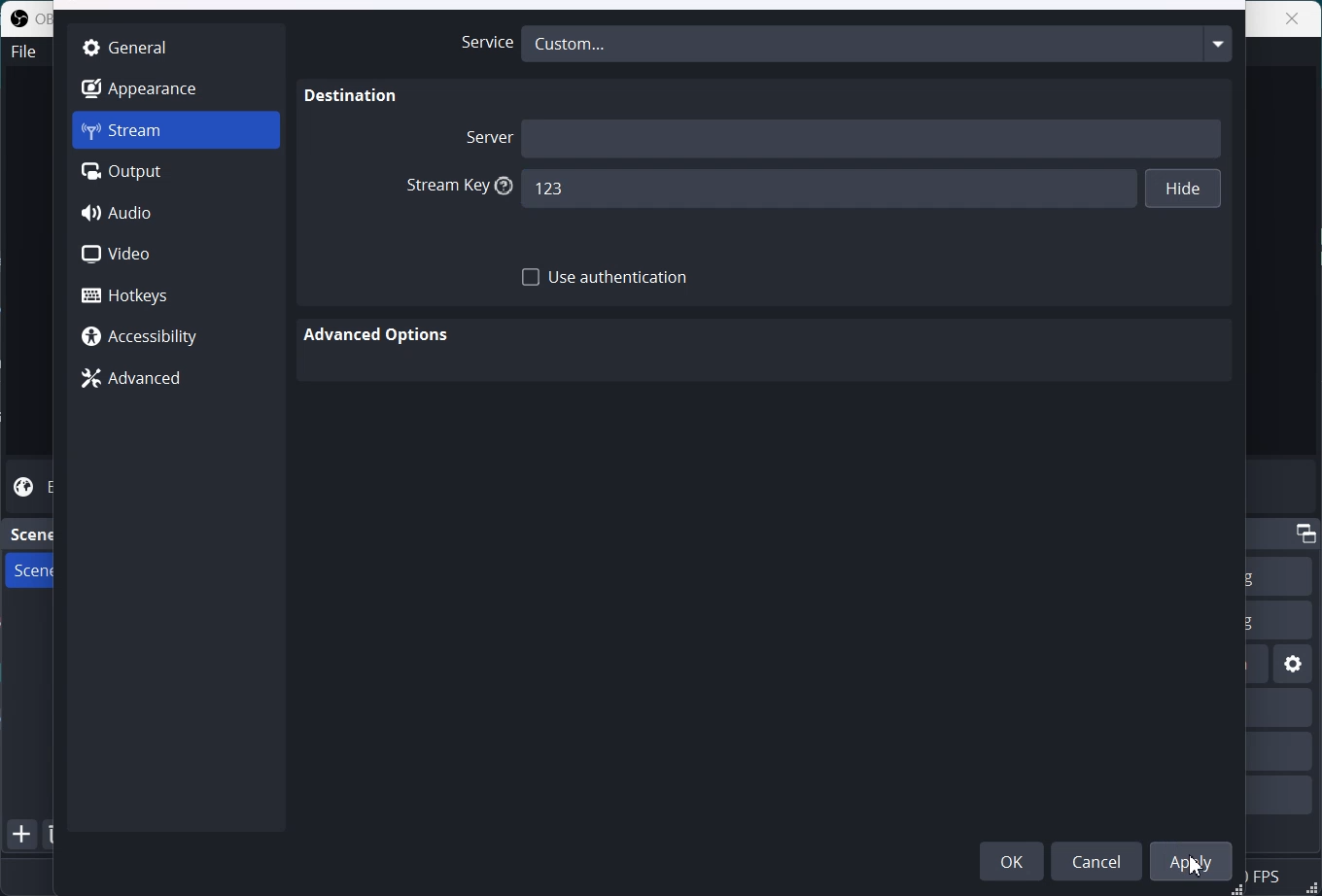 This screenshot has width=1322, height=896. Describe the element at coordinates (825, 190) in the screenshot. I see `123` at that location.